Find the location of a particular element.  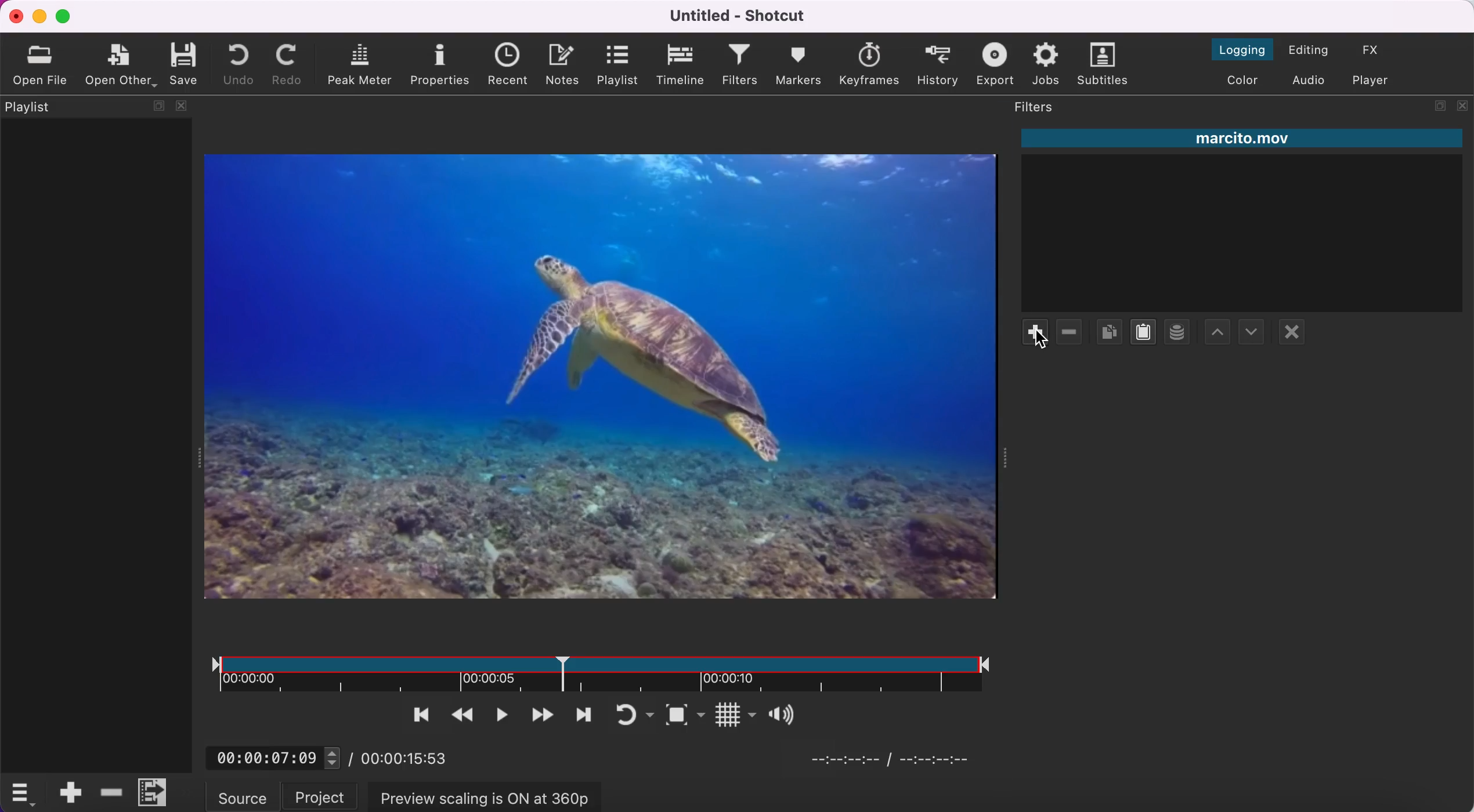

clip is located at coordinates (602, 384).